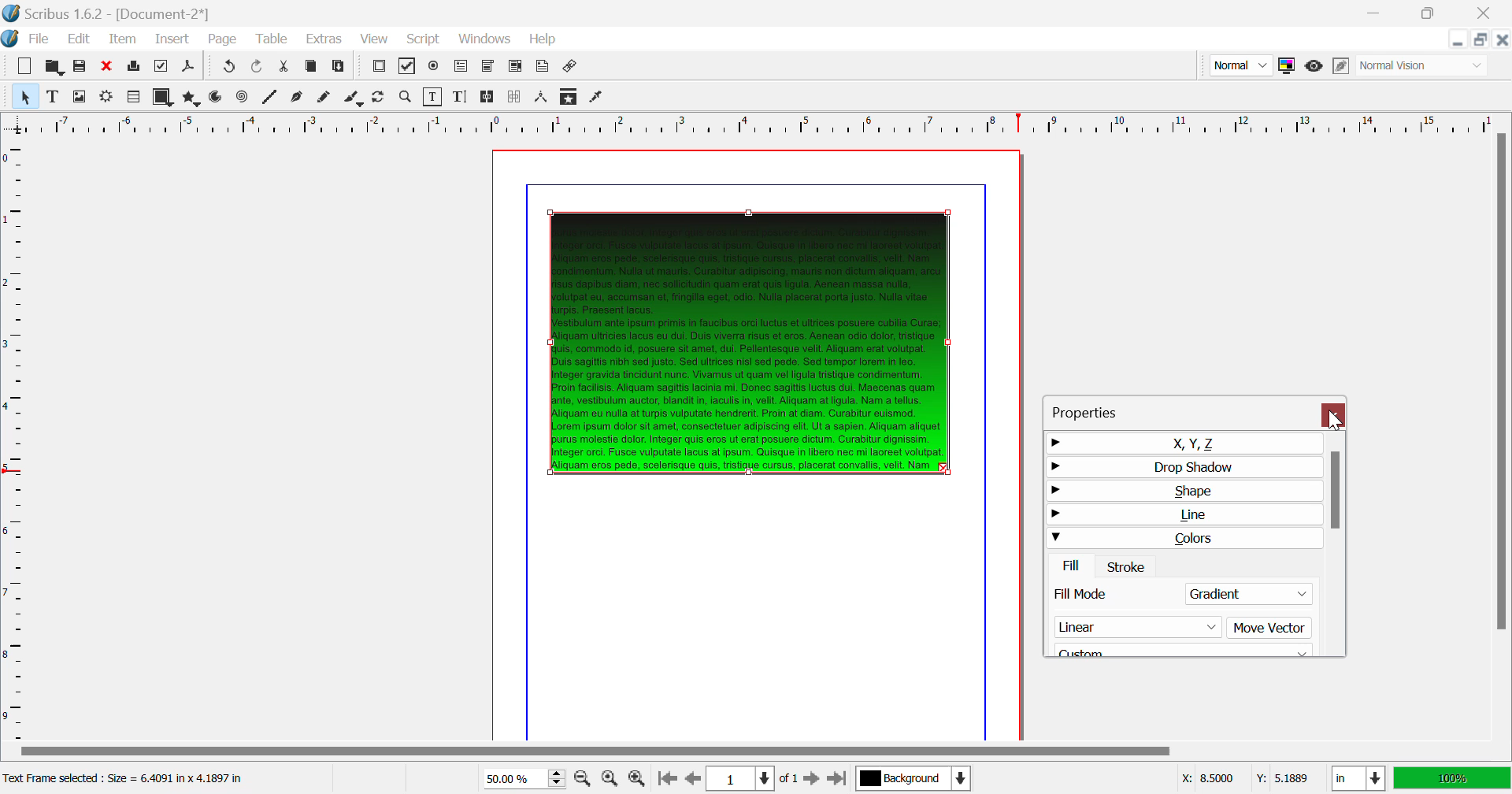 The width and height of the screenshot is (1512, 794). What do you see at coordinates (298, 98) in the screenshot?
I see `Bezier Curve` at bounding box center [298, 98].